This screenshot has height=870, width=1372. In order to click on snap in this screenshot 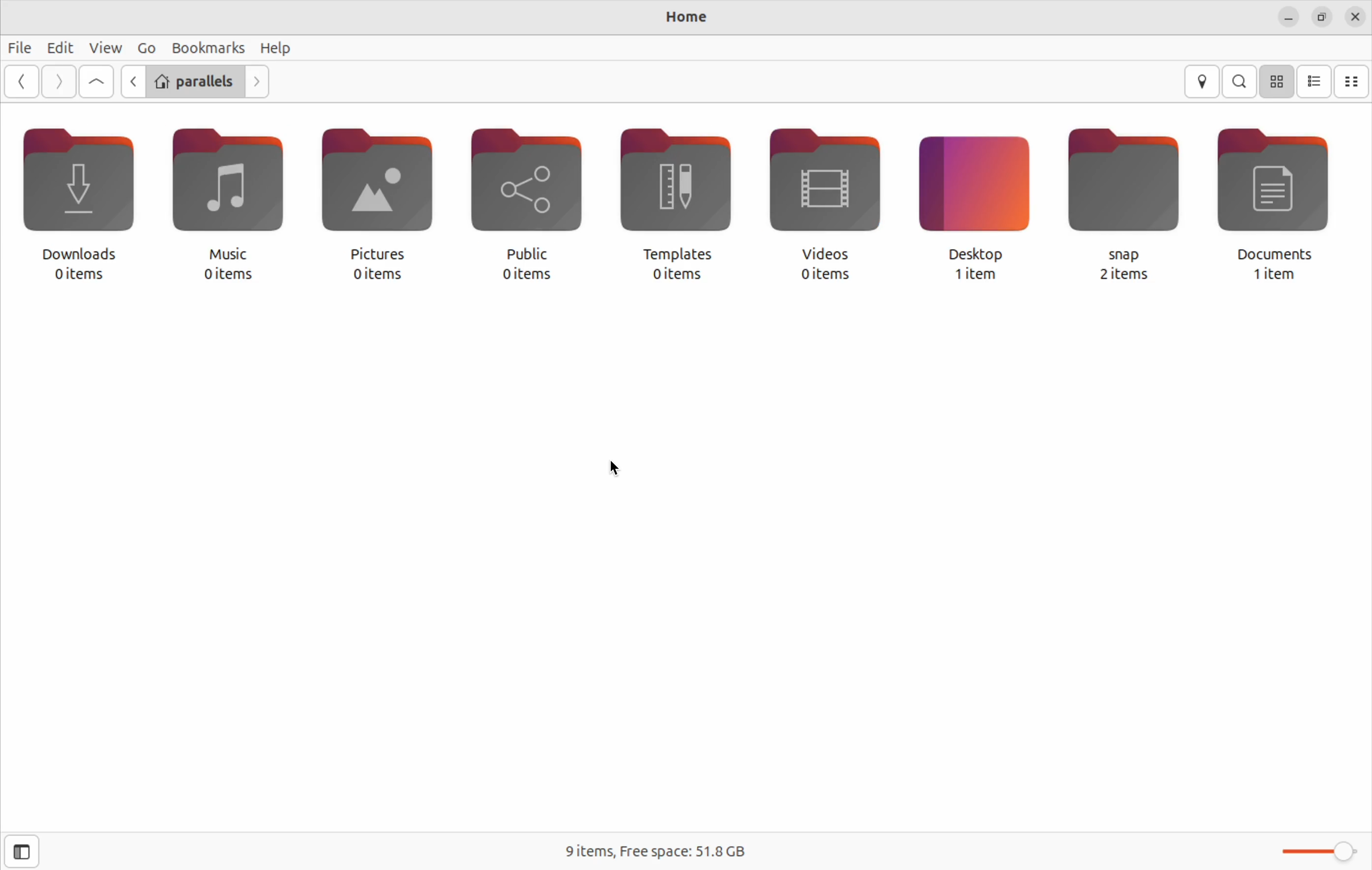, I will do `click(1130, 205)`.